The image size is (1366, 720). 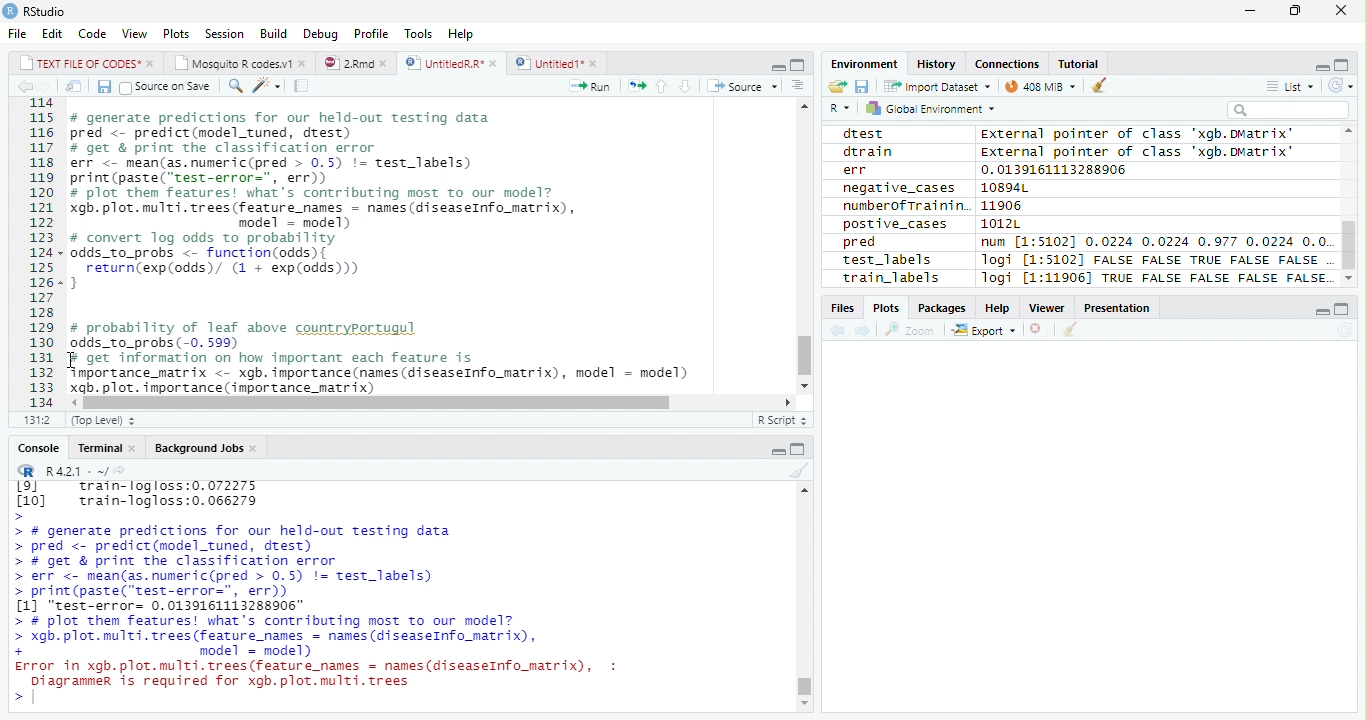 I want to click on Presentation, so click(x=1119, y=306).